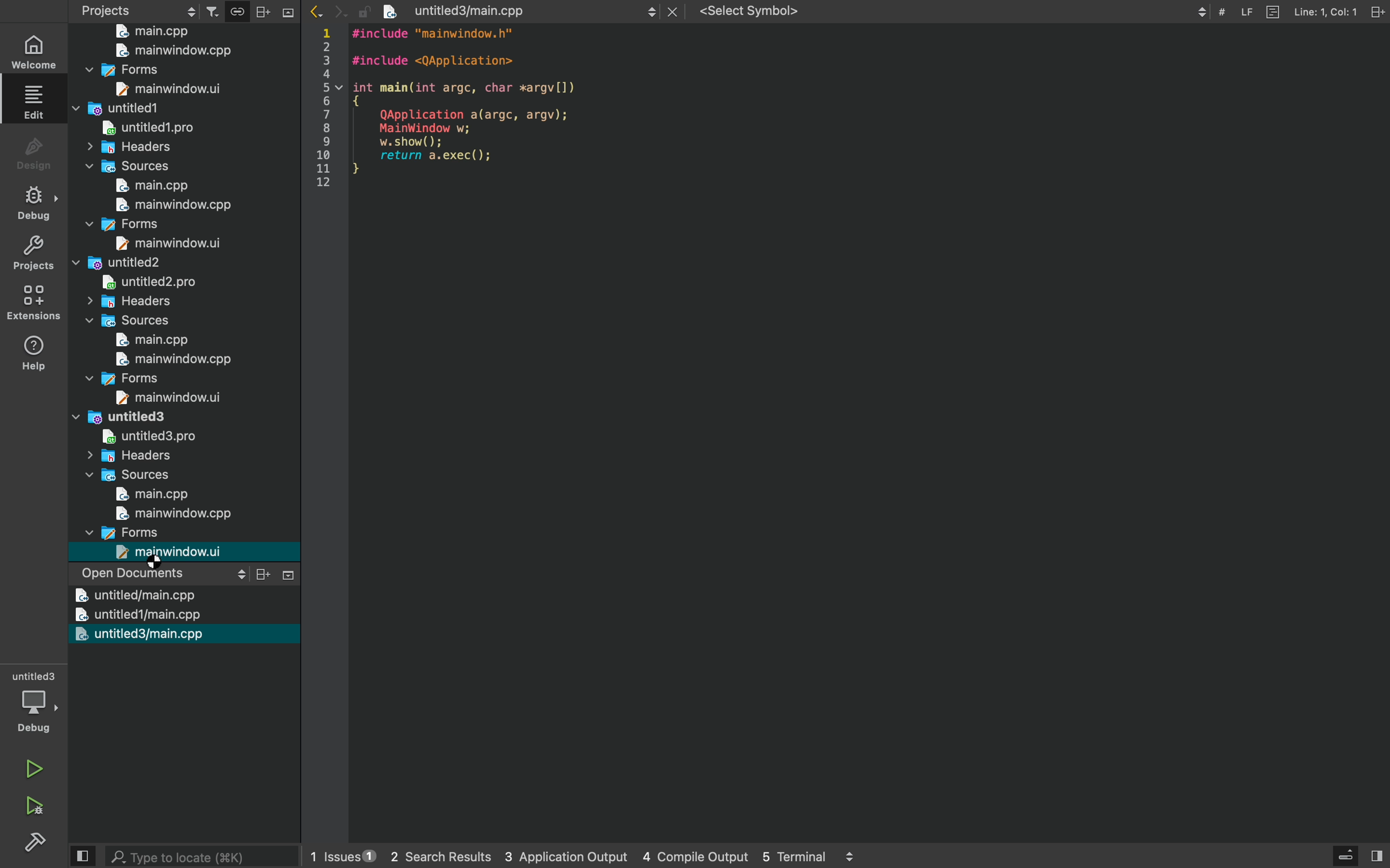  What do you see at coordinates (34, 764) in the screenshot?
I see `run` at bounding box center [34, 764].